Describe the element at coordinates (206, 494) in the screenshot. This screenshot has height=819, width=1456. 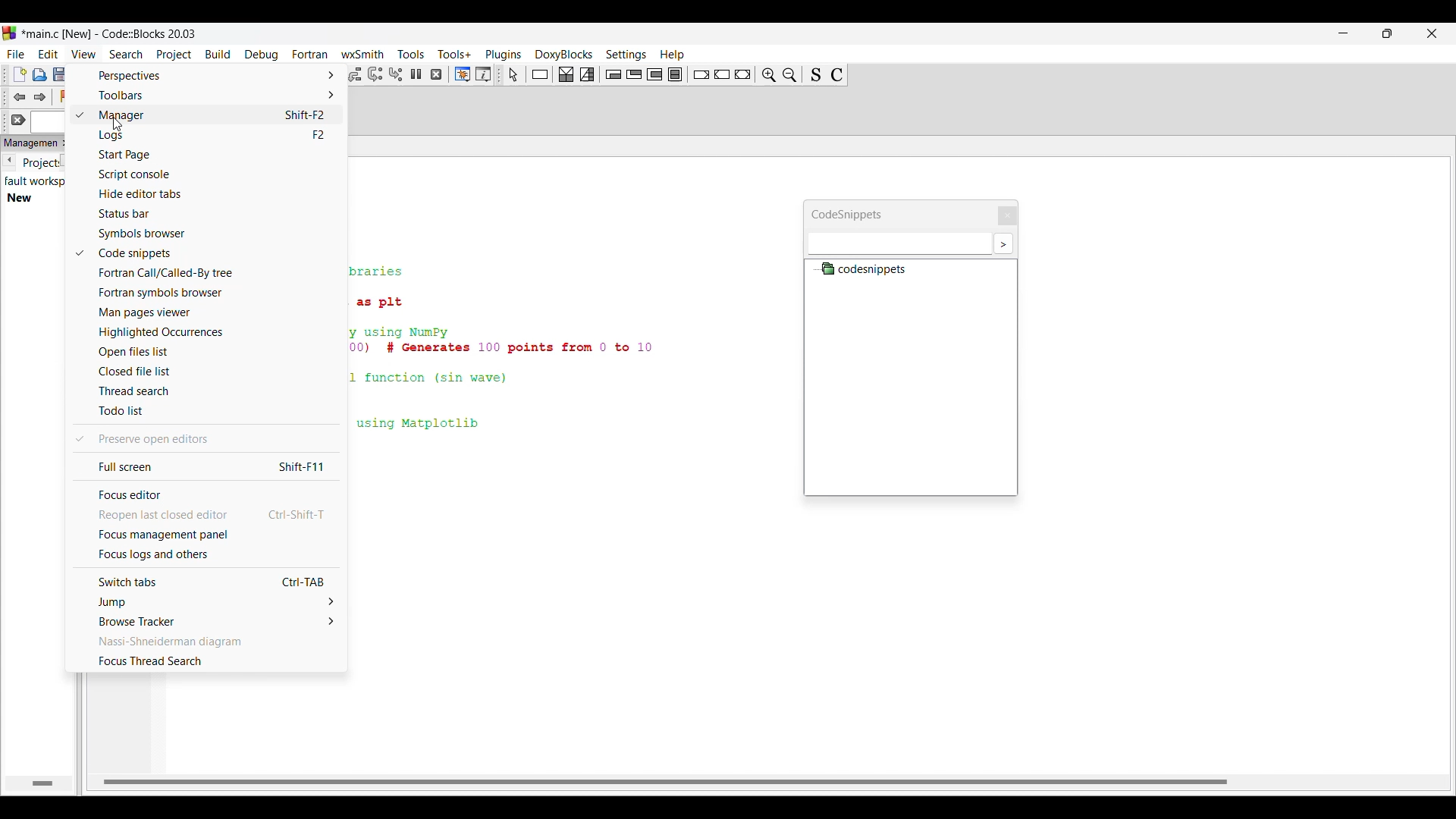
I see `Focus editor` at that location.